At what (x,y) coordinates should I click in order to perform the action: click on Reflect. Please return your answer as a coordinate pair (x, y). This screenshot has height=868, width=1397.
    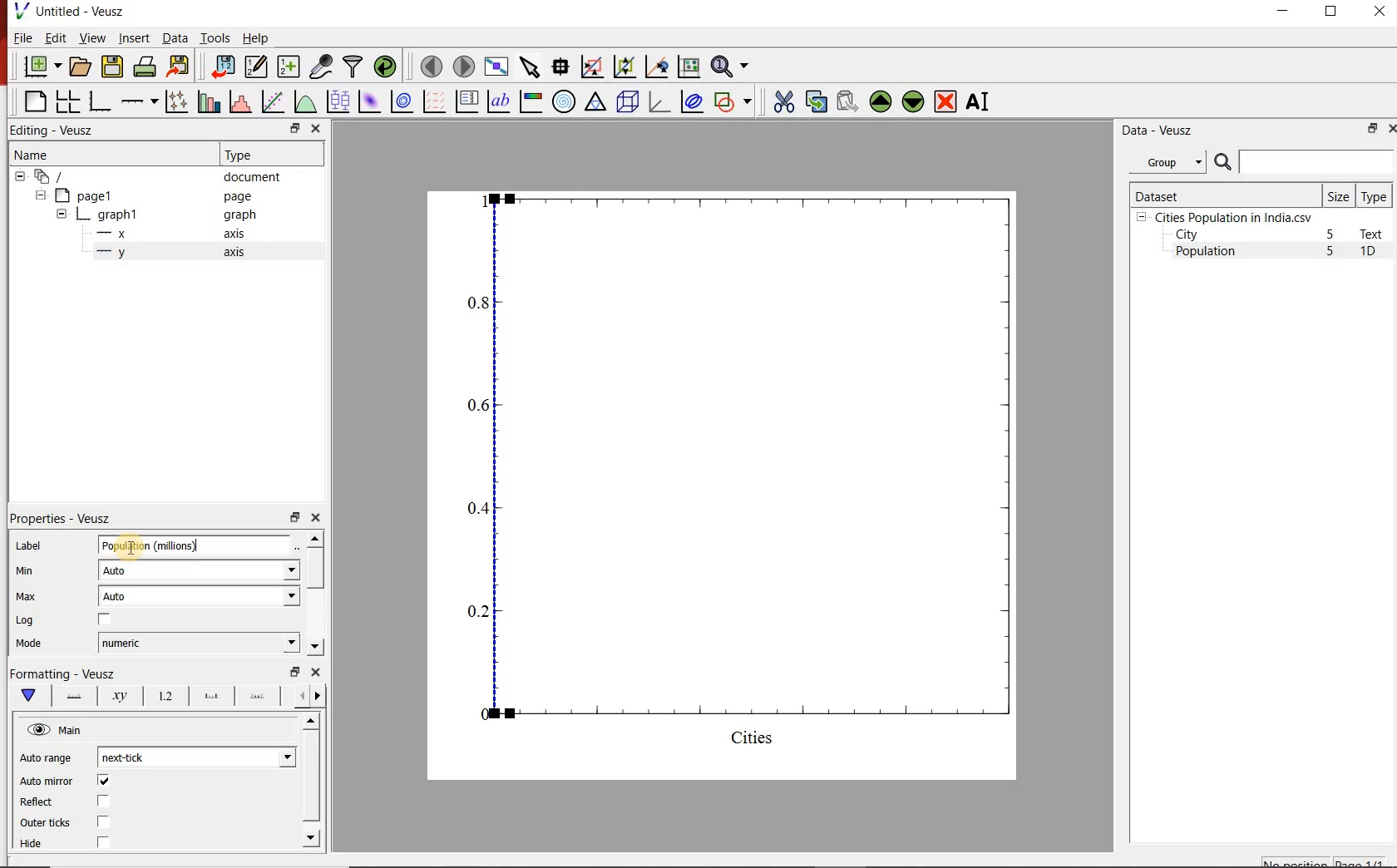
    Looking at the image, I should click on (42, 801).